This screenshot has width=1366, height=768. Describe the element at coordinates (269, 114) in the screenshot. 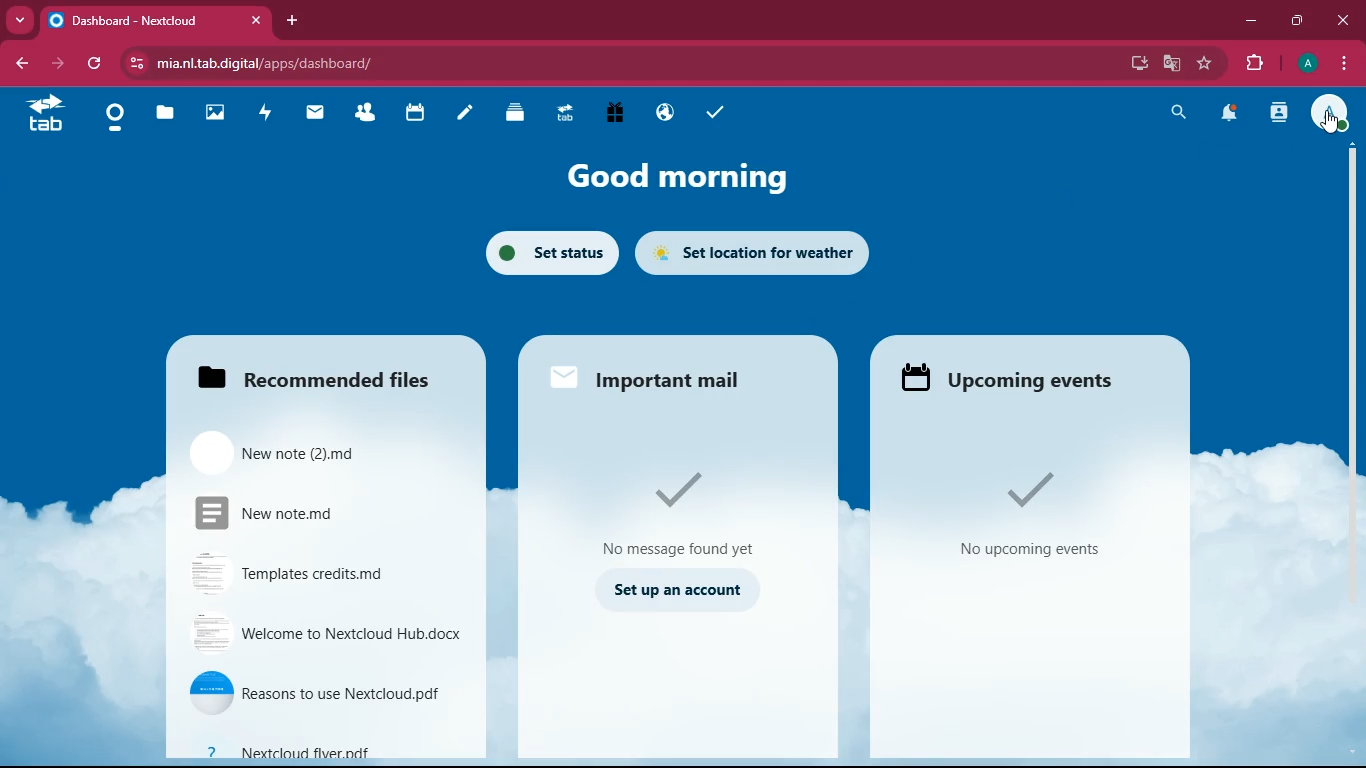

I see `activity` at that location.